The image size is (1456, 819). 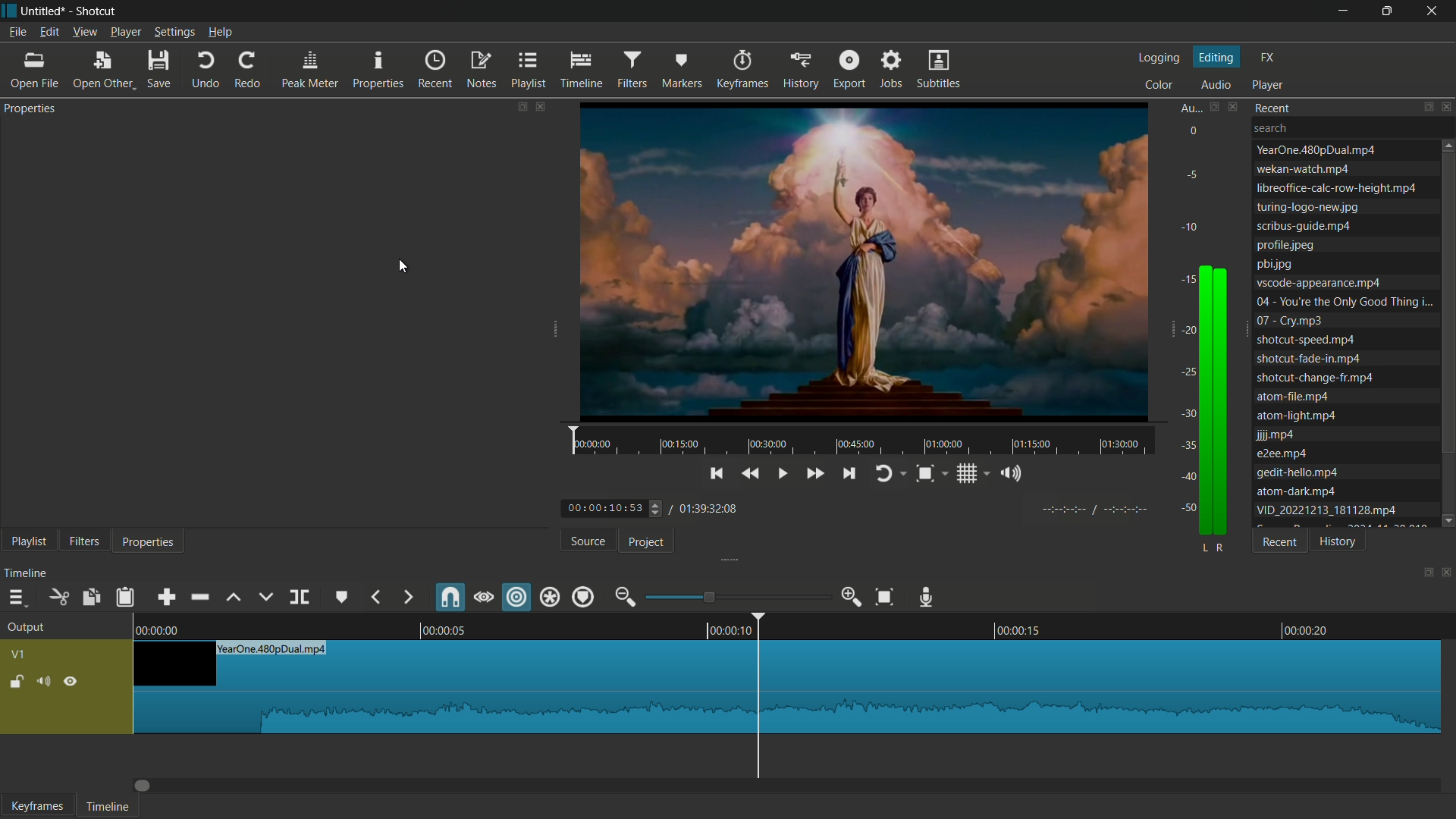 I want to click on redo, so click(x=247, y=71).